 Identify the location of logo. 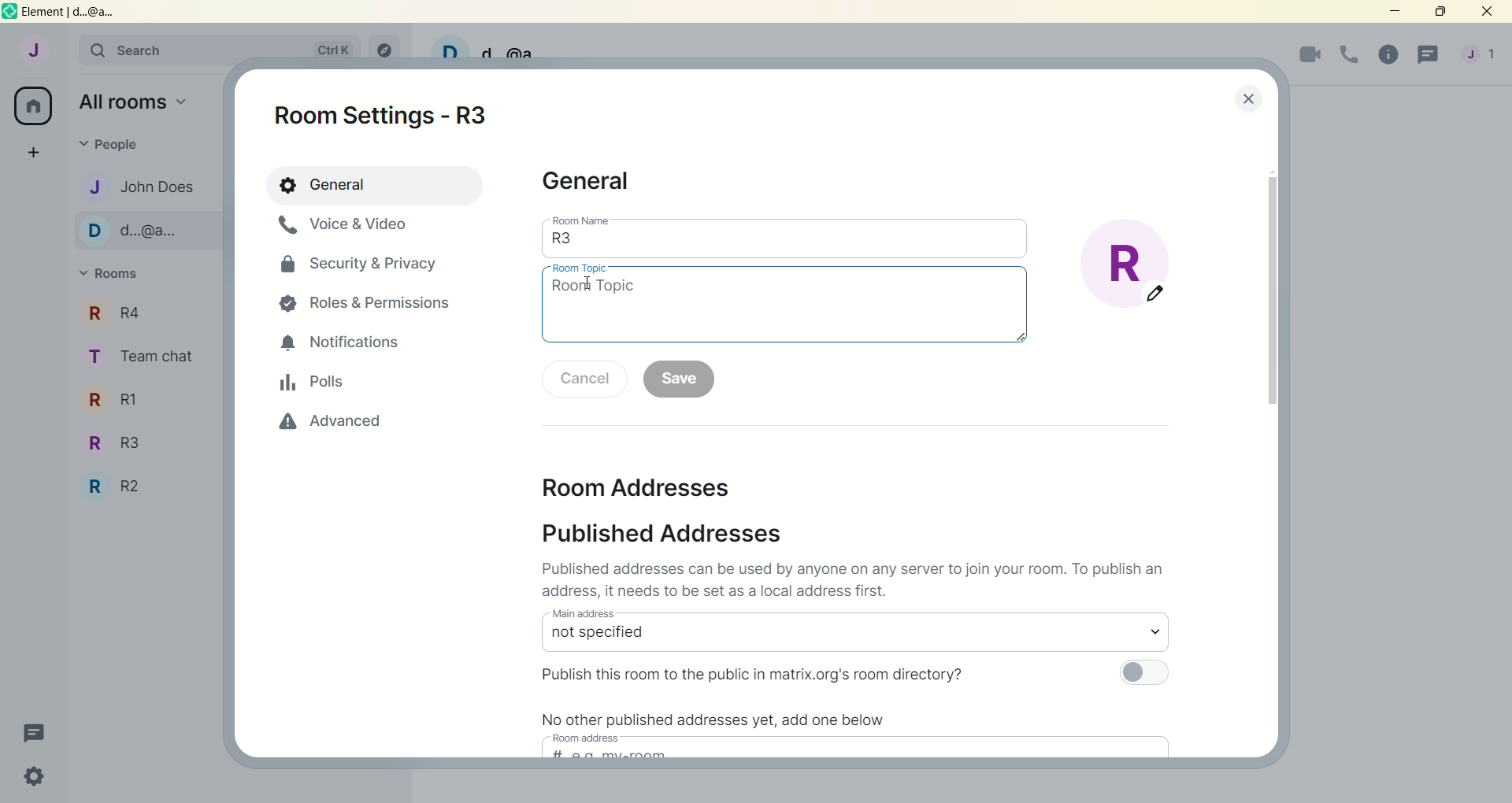
(10, 12).